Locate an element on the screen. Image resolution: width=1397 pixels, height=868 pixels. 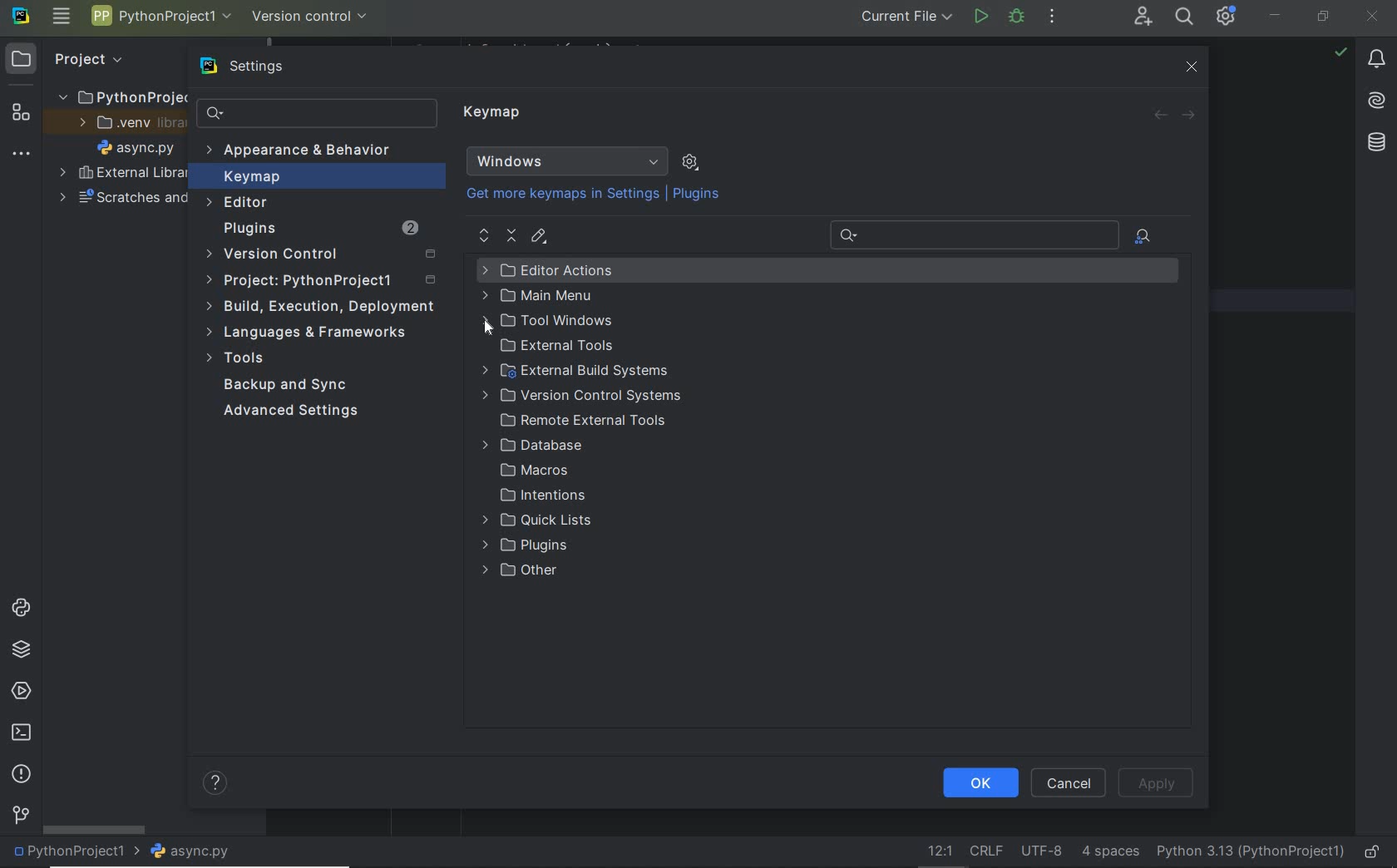
close is located at coordinates (1374, 15).